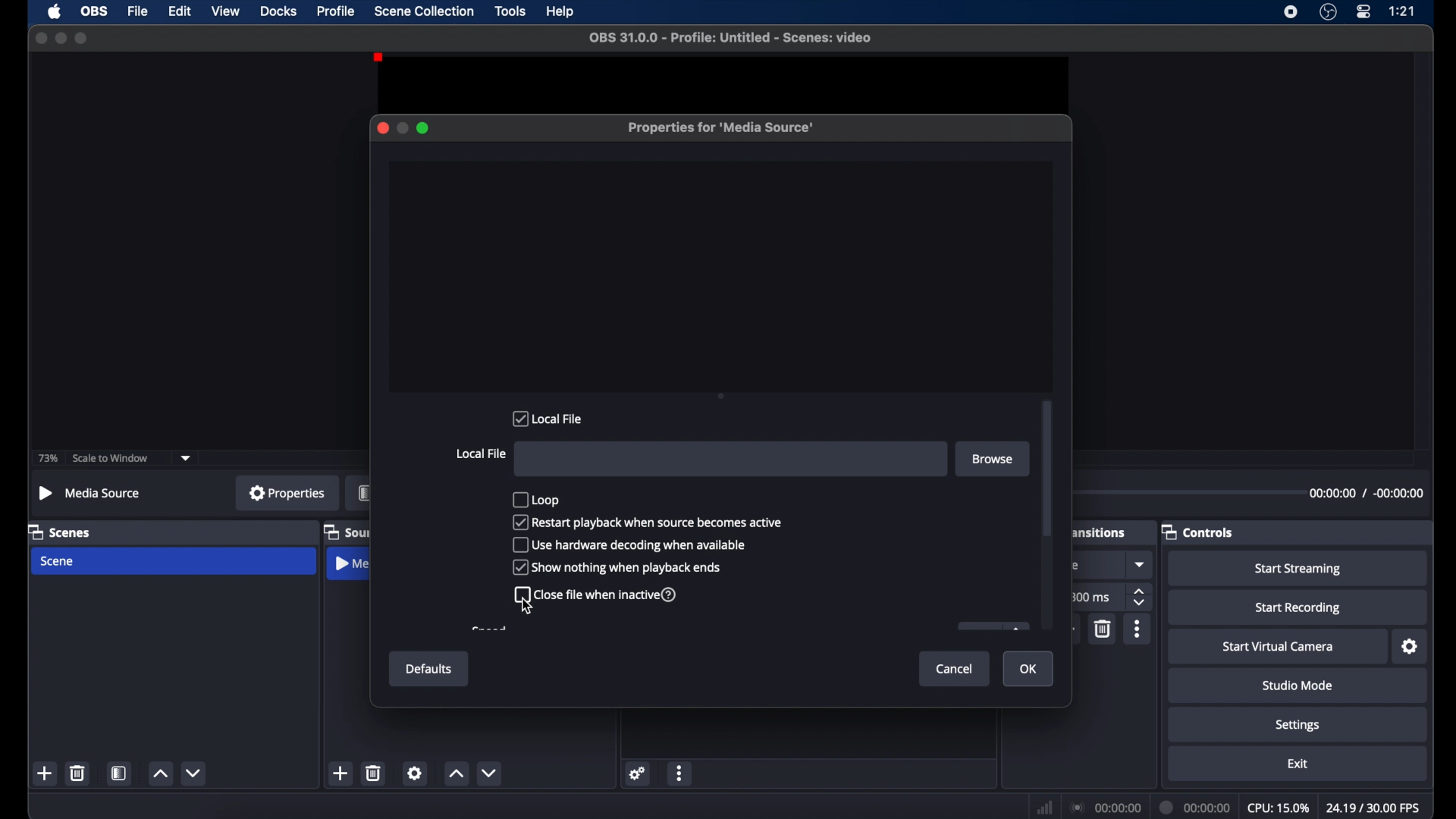 Image resolution: width=1456 pixels, height=819 pixels. Describe the element at coordinates (1078, 565) in the screenshot. I see `luma wipe` at that location.